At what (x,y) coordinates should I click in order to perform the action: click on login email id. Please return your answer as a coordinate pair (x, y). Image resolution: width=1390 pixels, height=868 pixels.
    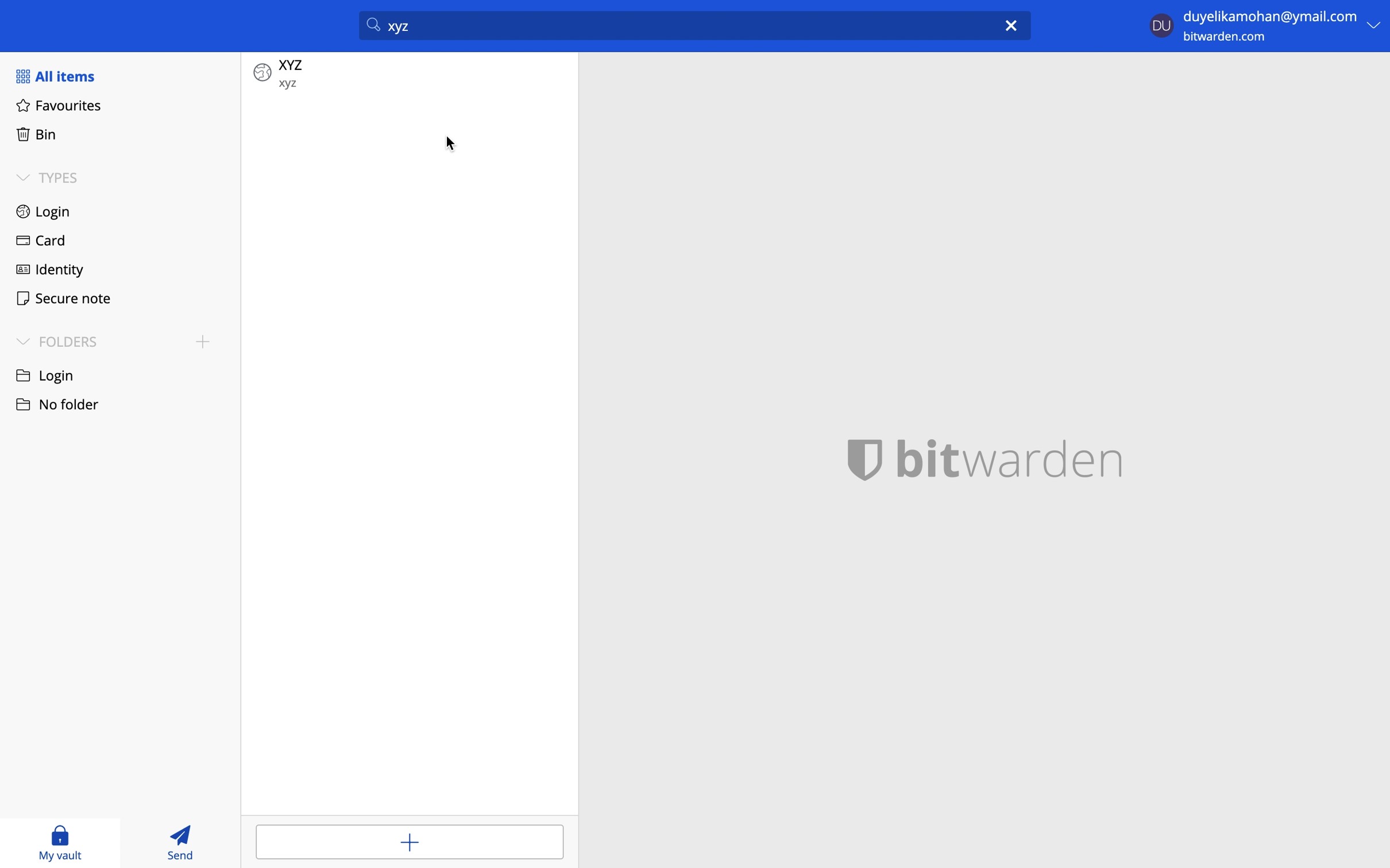
    Looking at the image, I should click on (1269, 15).